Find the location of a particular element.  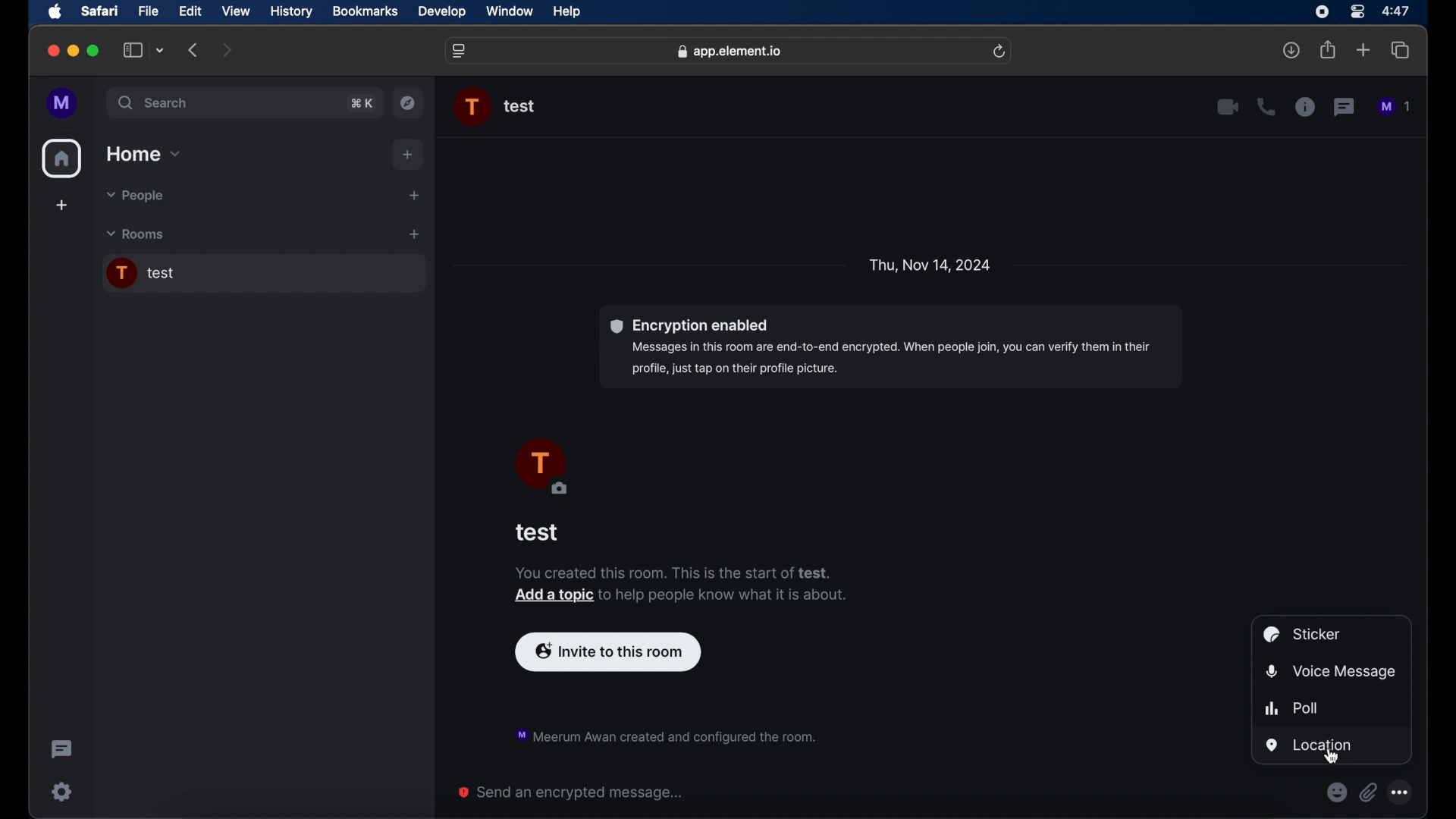

help is located at coordinates (567, 12).